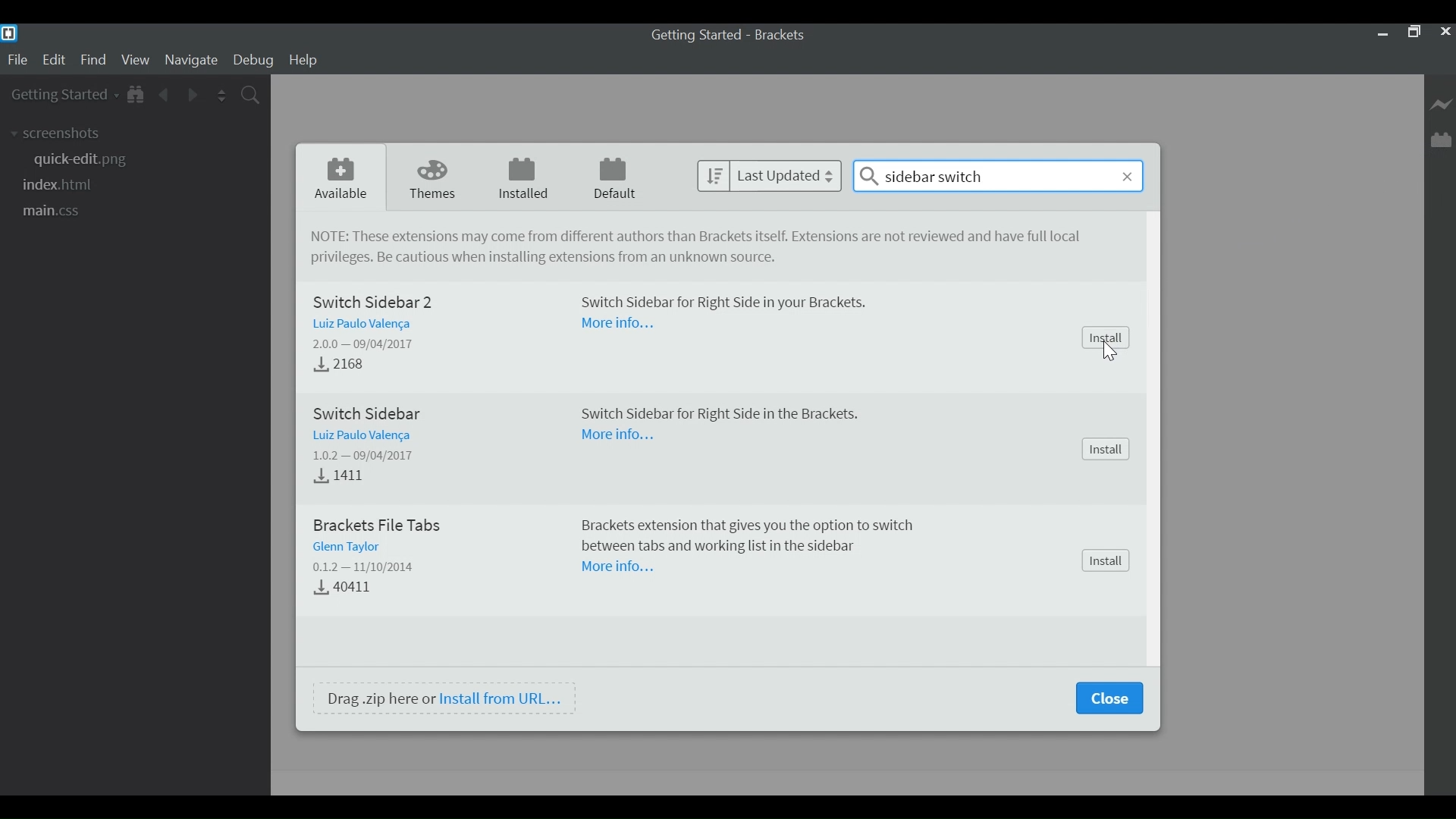  I want to click on last Updated, so click(770, 175).